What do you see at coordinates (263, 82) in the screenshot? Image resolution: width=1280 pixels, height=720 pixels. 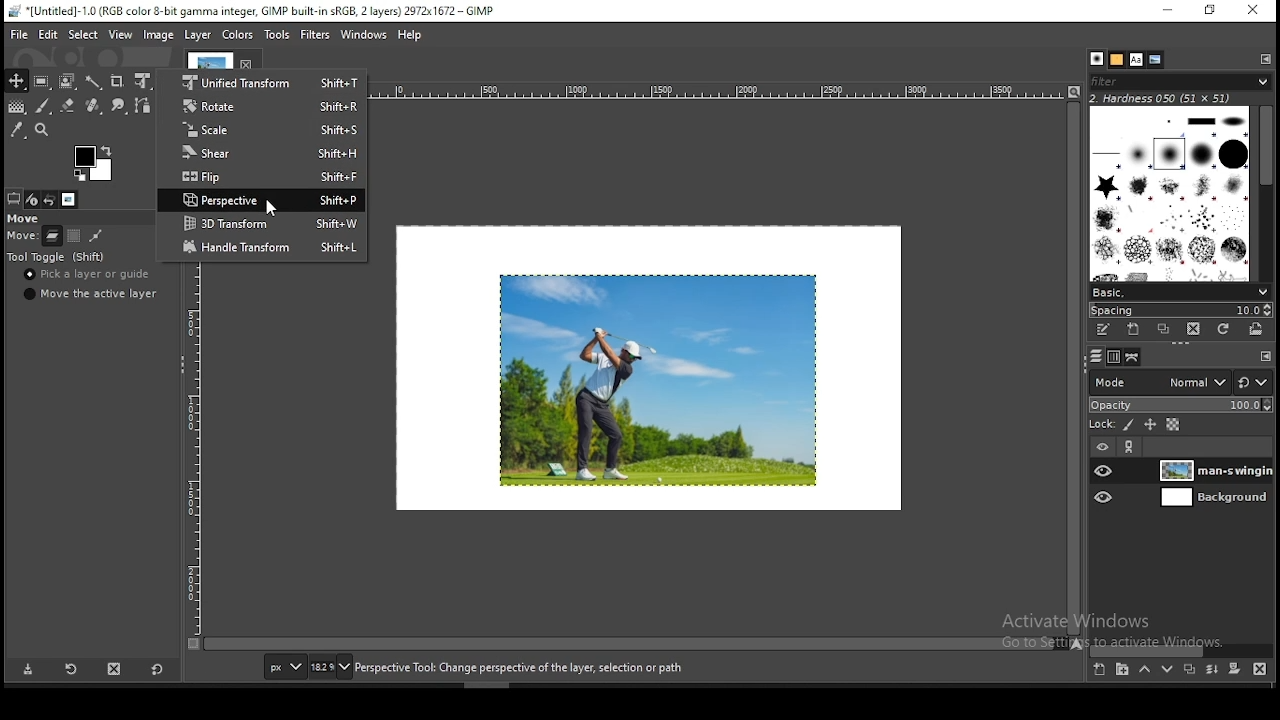 I see `unified transform` at bounding box center [263, 82].